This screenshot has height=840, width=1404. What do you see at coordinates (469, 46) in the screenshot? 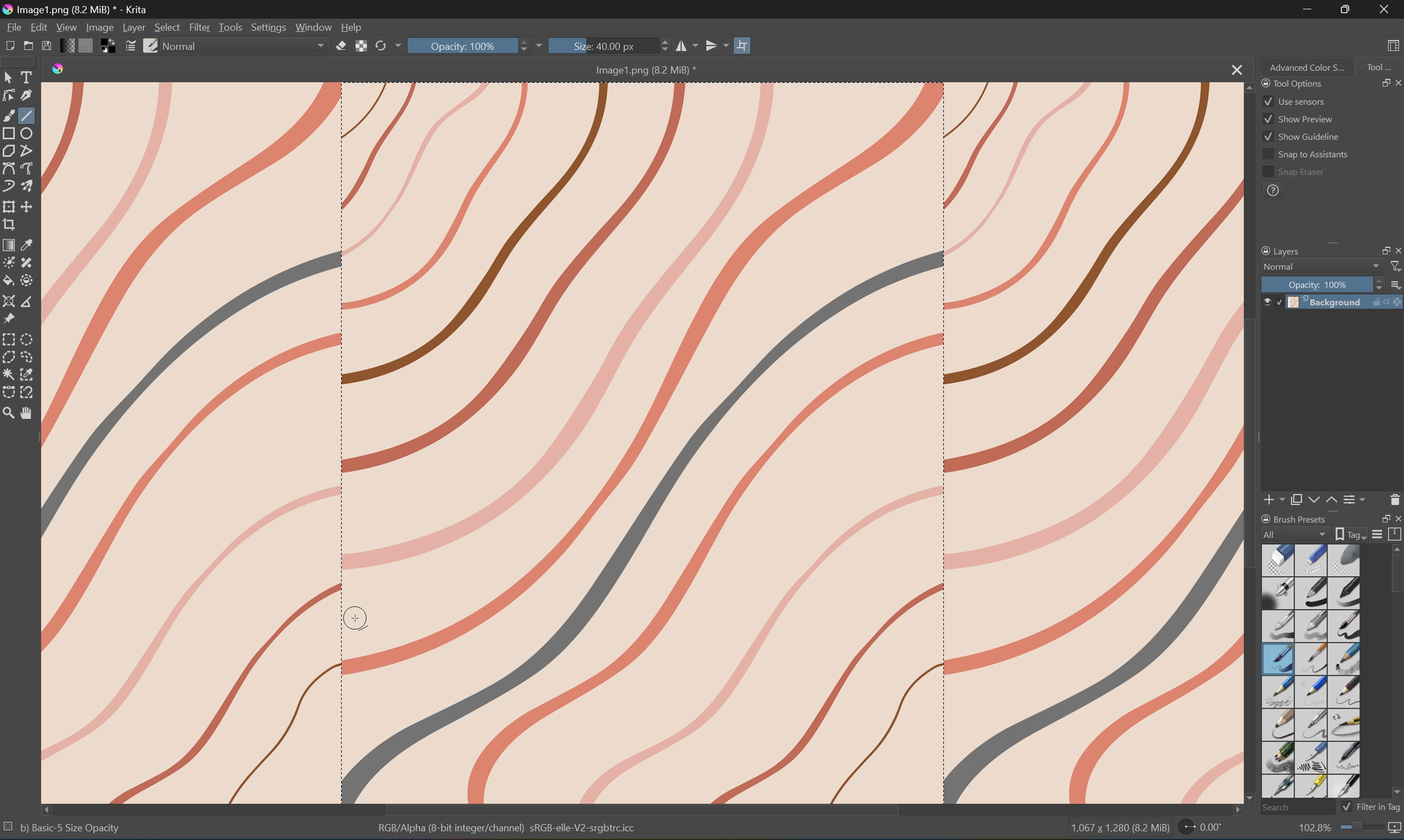
I see `Opacity: 100%` at bounding box center [469, 46].